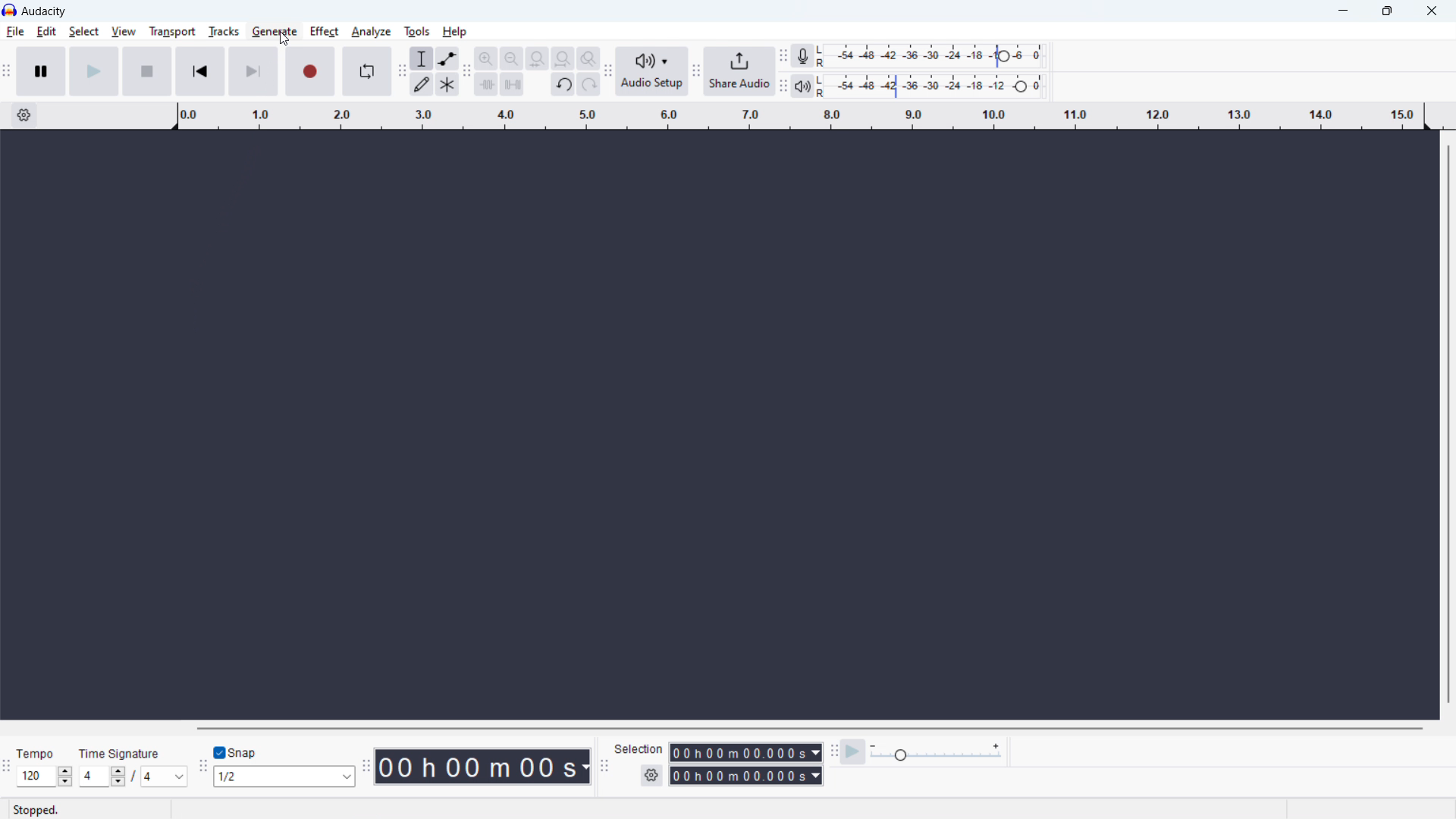  Describe the element at coordinates (365, 764) in the screenshot. I see `time toolbar` at that location.